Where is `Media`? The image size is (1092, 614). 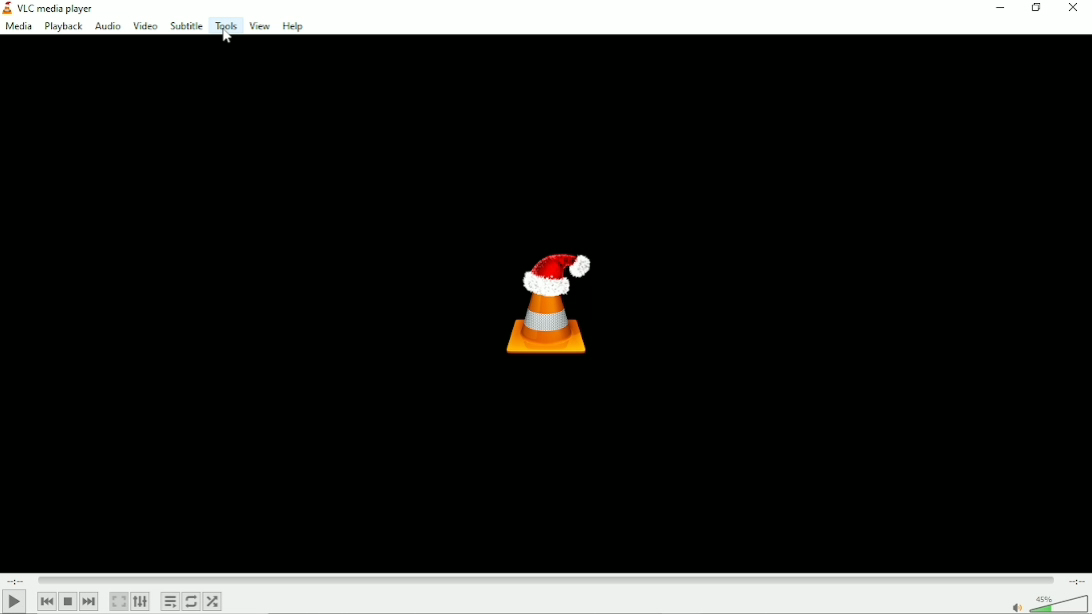
Media is located at coordinates (18, 27).